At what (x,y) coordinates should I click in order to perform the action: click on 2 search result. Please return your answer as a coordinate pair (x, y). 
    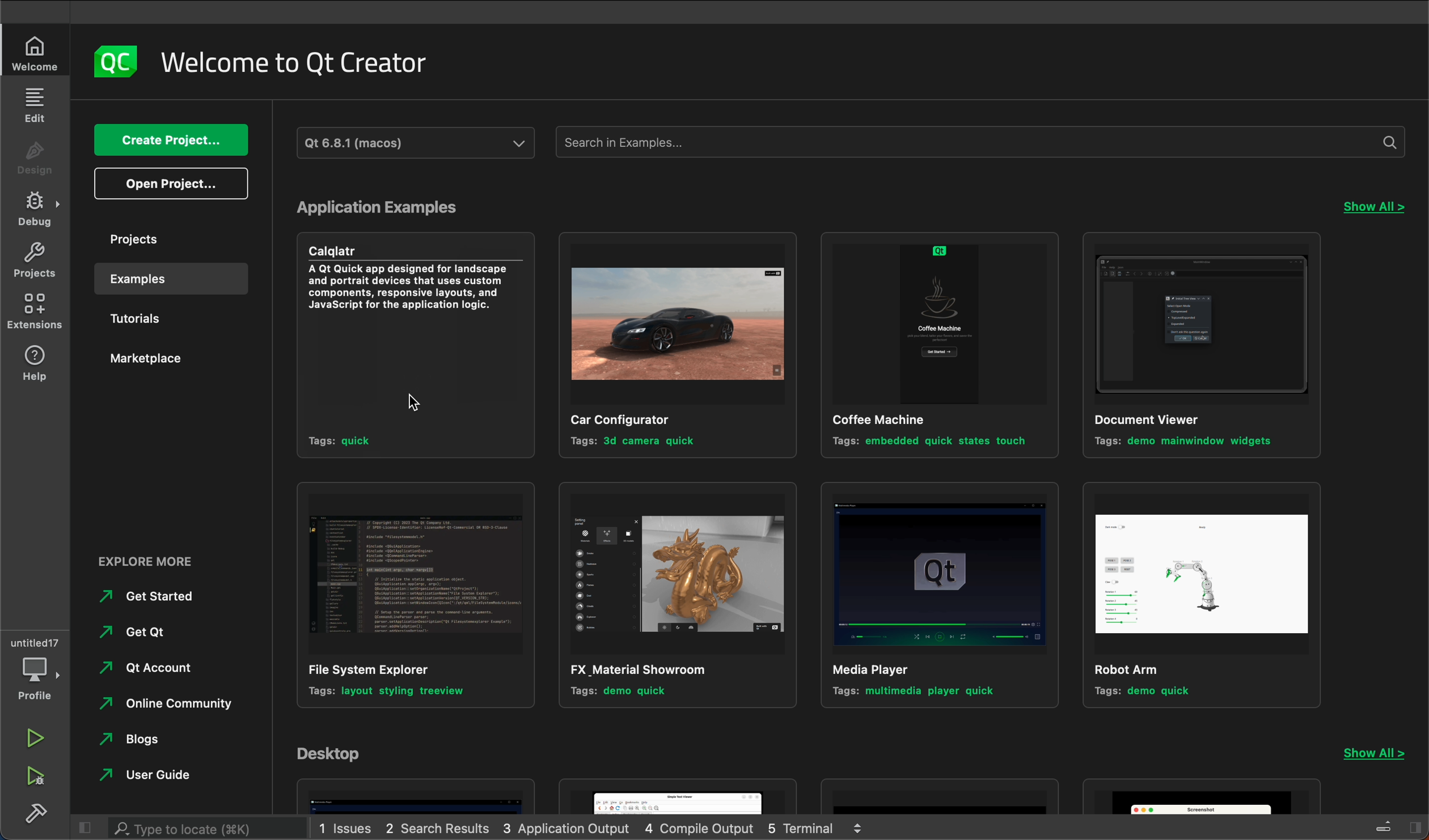
    Looking at the image, I should click on (439, 828).